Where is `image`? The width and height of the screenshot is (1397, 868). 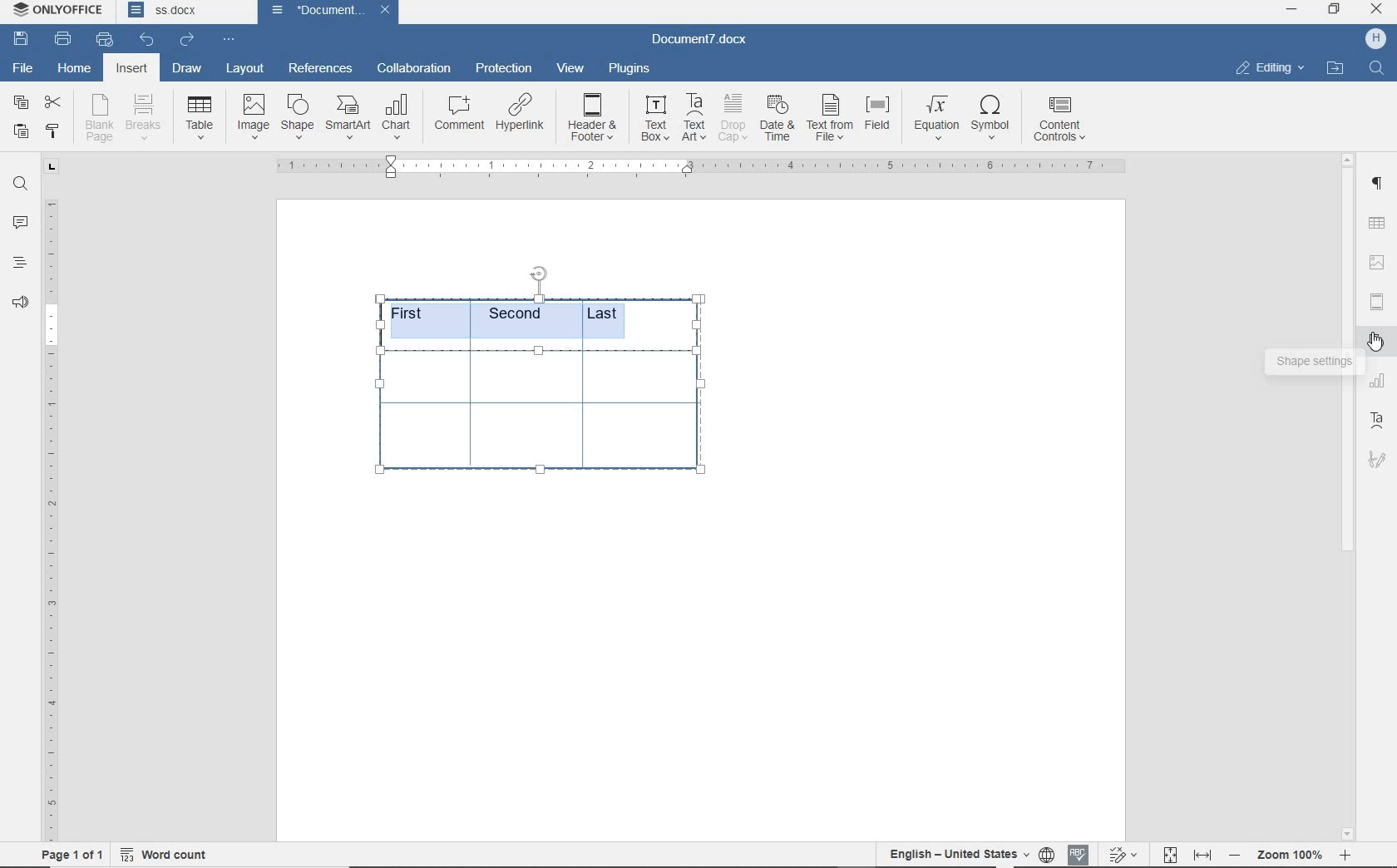
image is located at coordinates (254, 117).